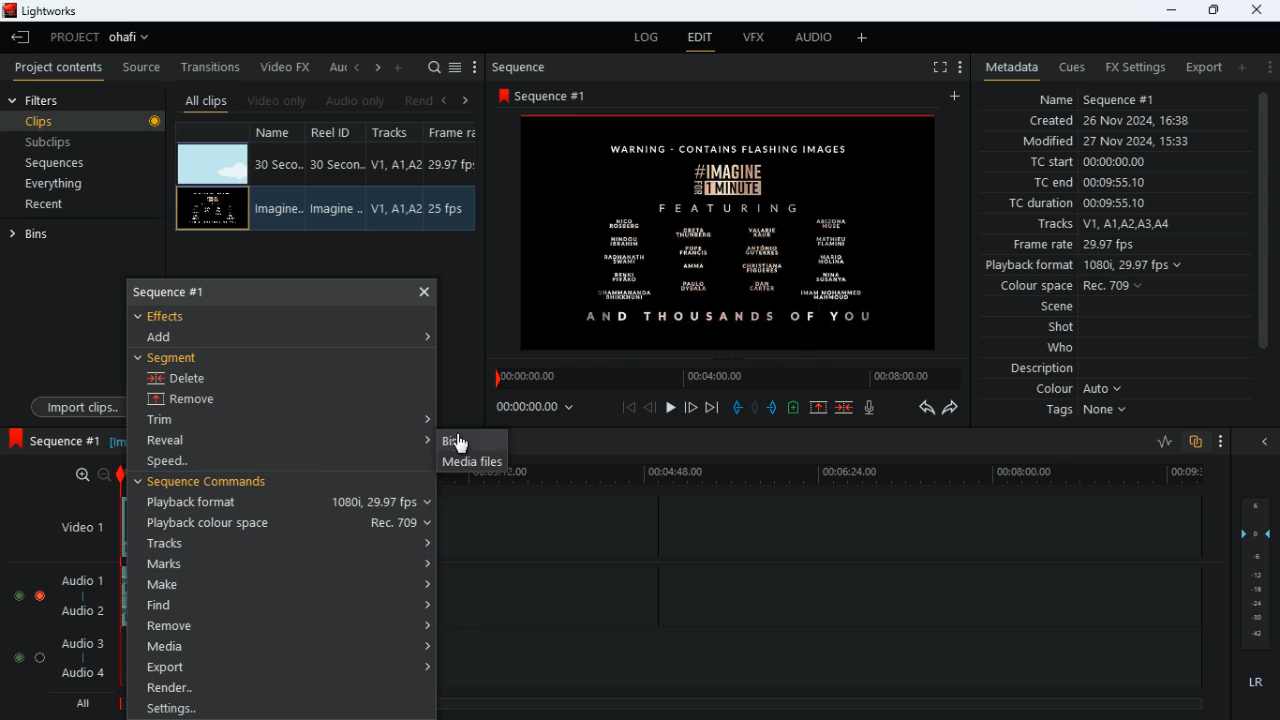 This screenshot has width=1280, height=720. What do you see at coordinates (1033, 369) in the screenshot?
I see `description` at bounding box center [1033, 369].